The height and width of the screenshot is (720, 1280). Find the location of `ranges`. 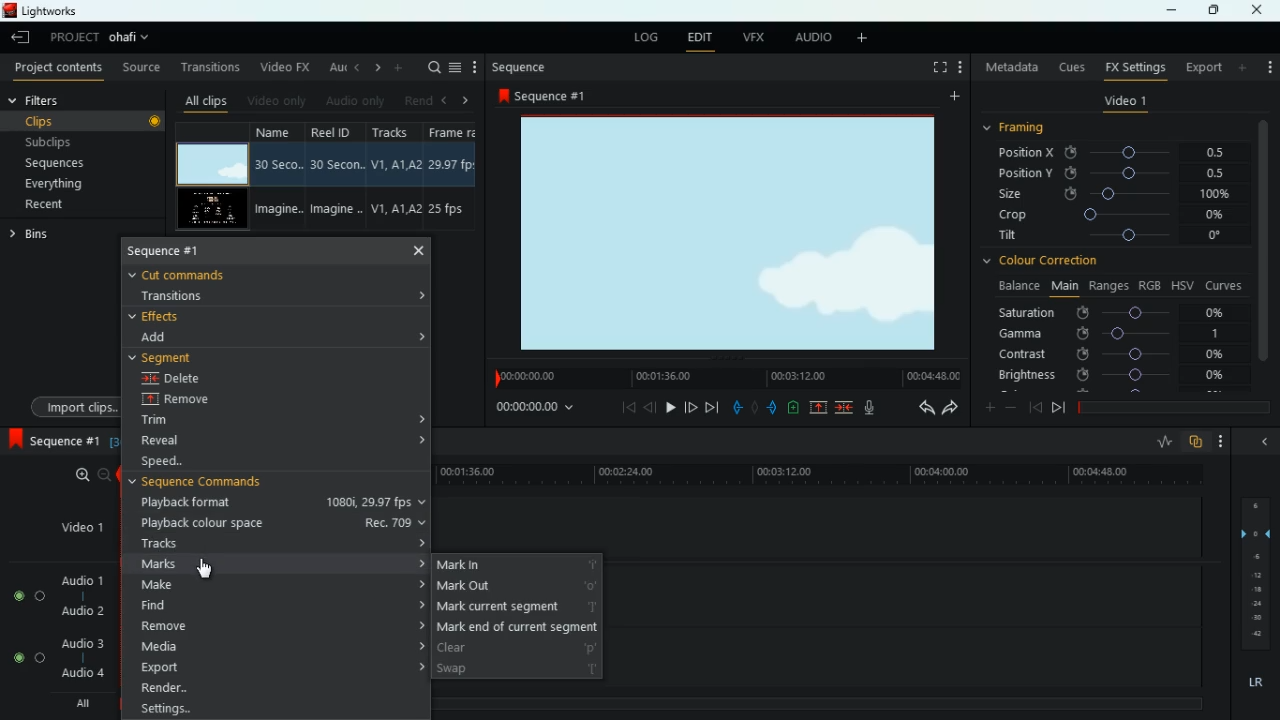

ranges is located at coordinates (1109, 287).